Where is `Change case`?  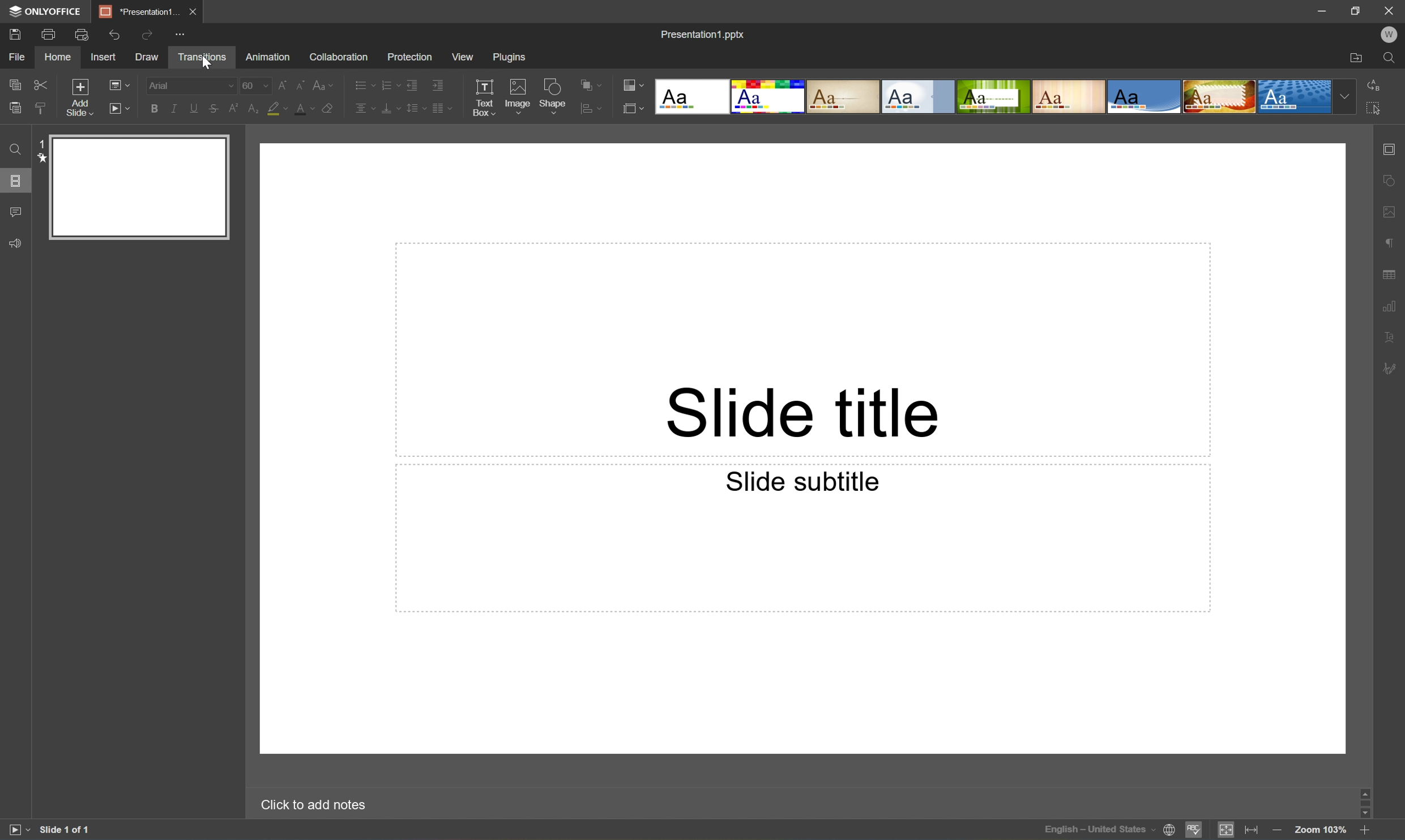
Change case is located at coordinates (321, 86).